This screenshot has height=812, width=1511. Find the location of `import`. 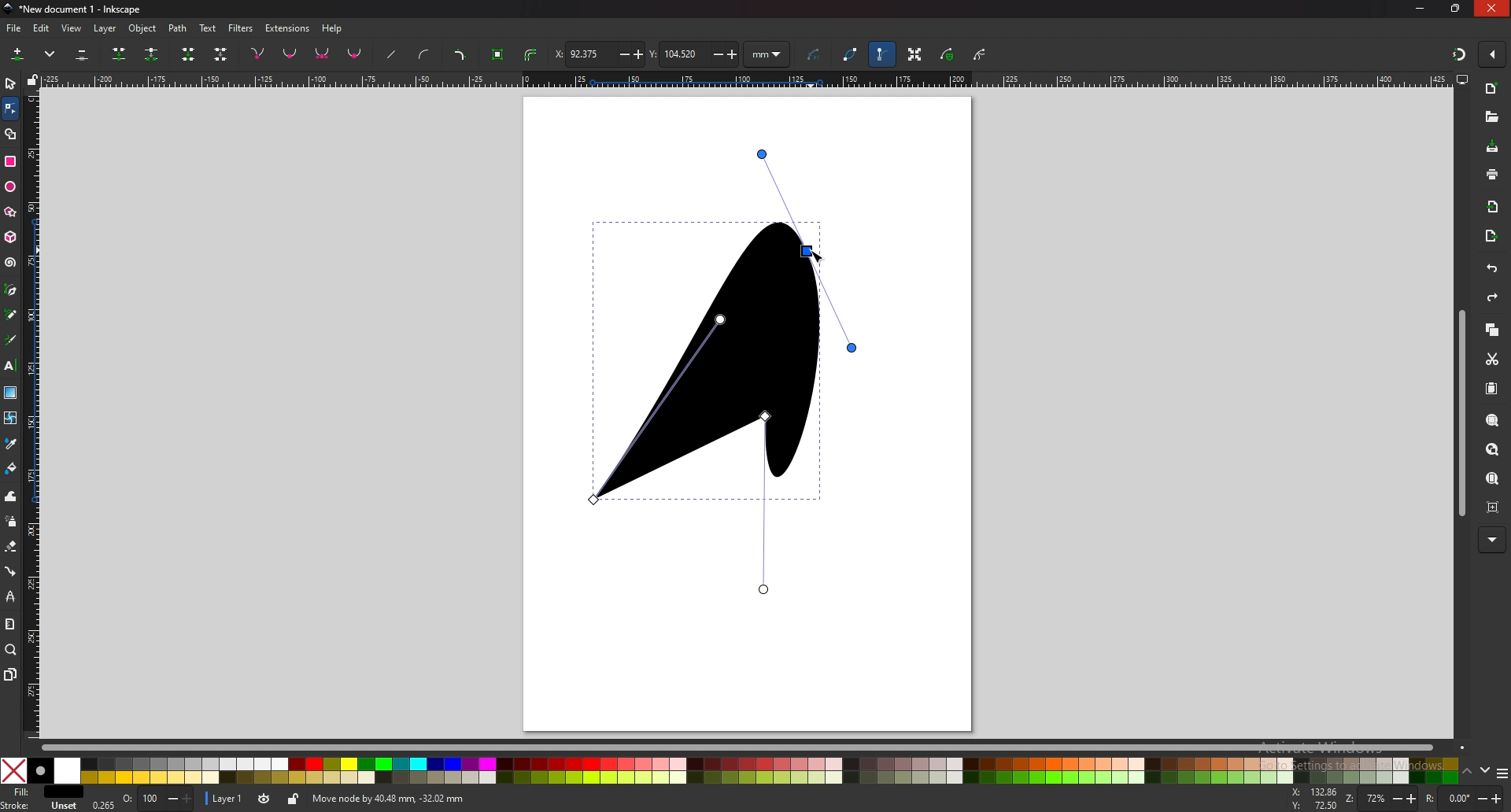

import is located at coordinates (1494, 209).